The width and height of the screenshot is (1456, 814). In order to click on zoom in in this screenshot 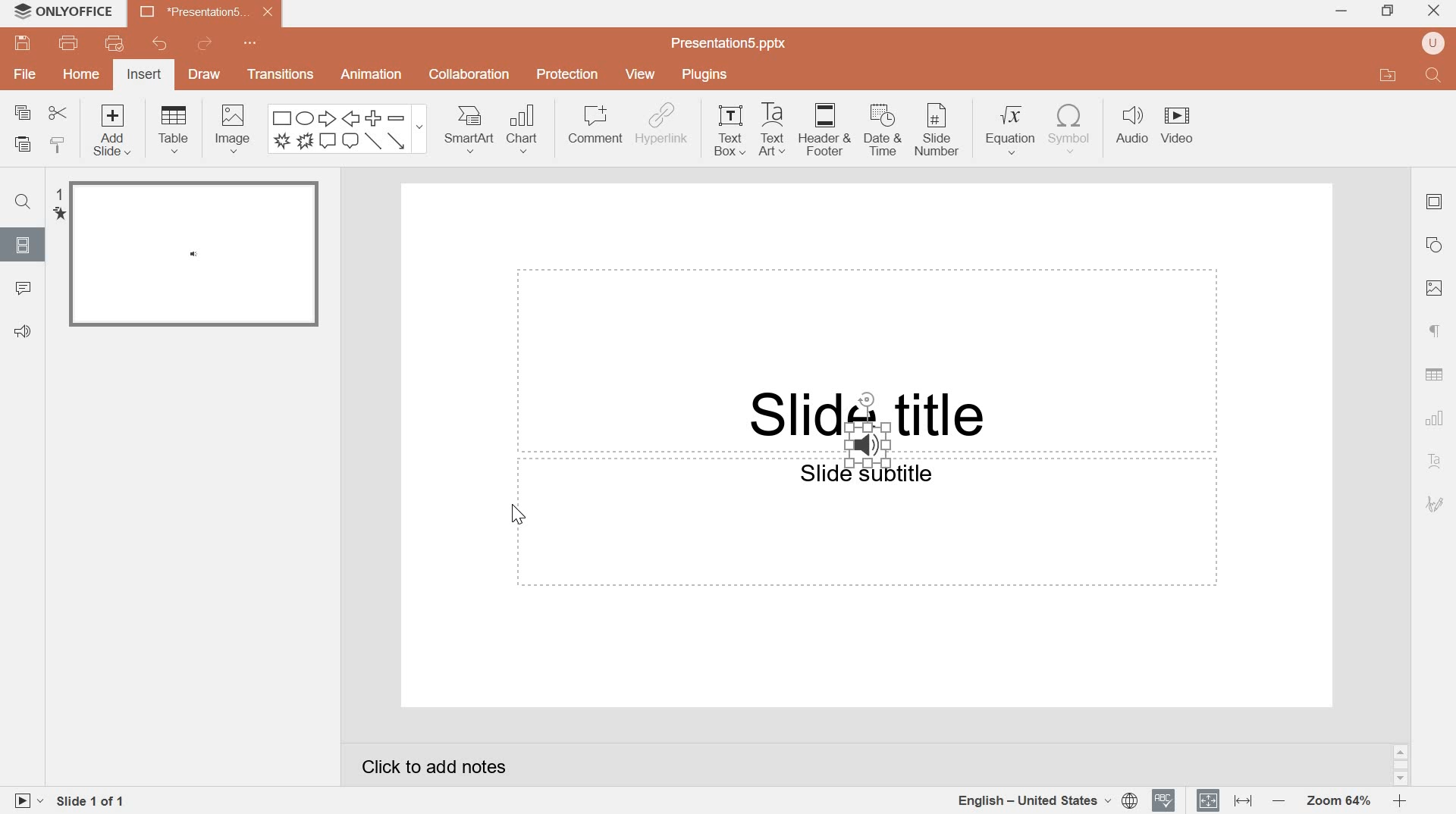, I will do `click(1399, 800)`.